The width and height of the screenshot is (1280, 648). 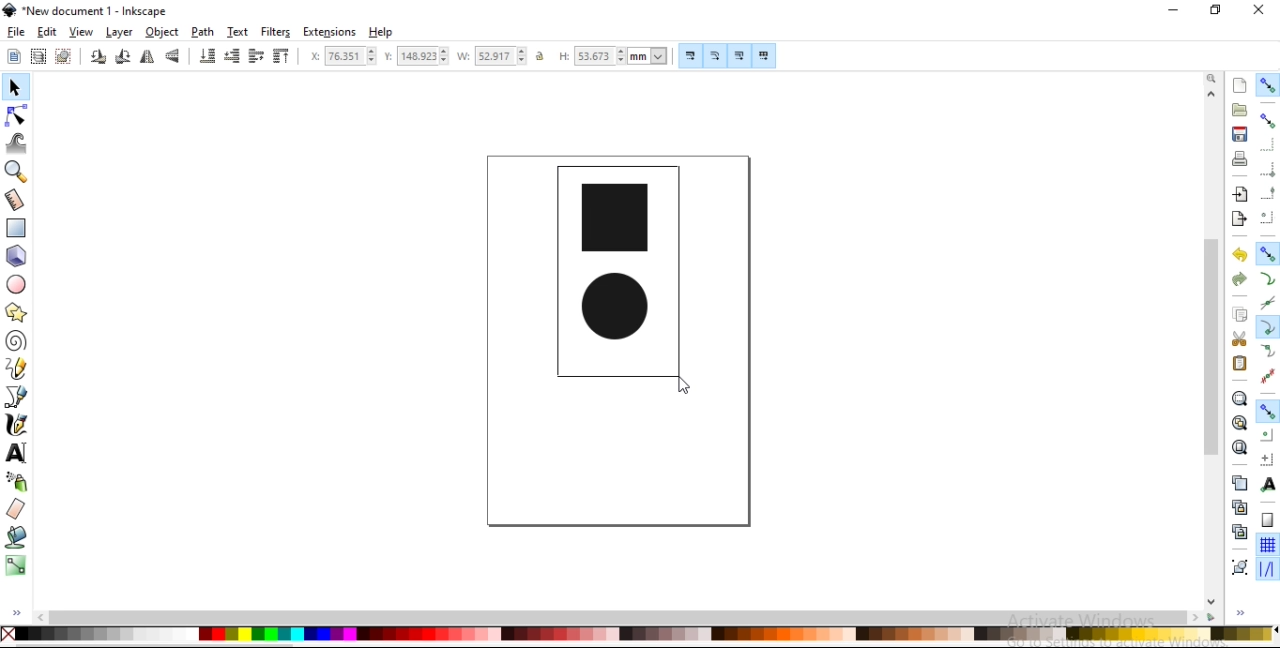 I want to click on snap midpoints of line segments, so click(x=1267, y=375).